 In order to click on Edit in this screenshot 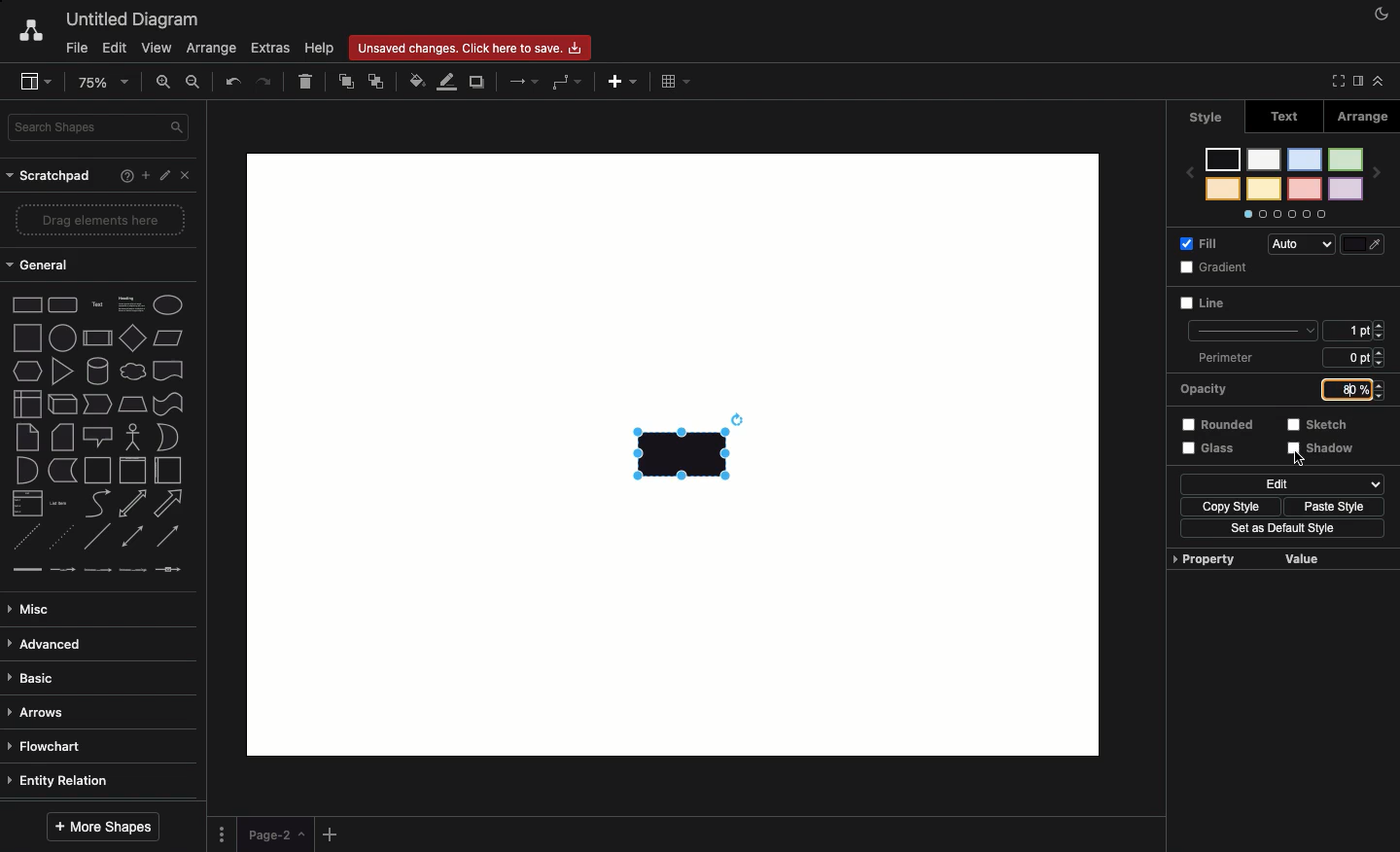, I will do `click(1284, 482)`.